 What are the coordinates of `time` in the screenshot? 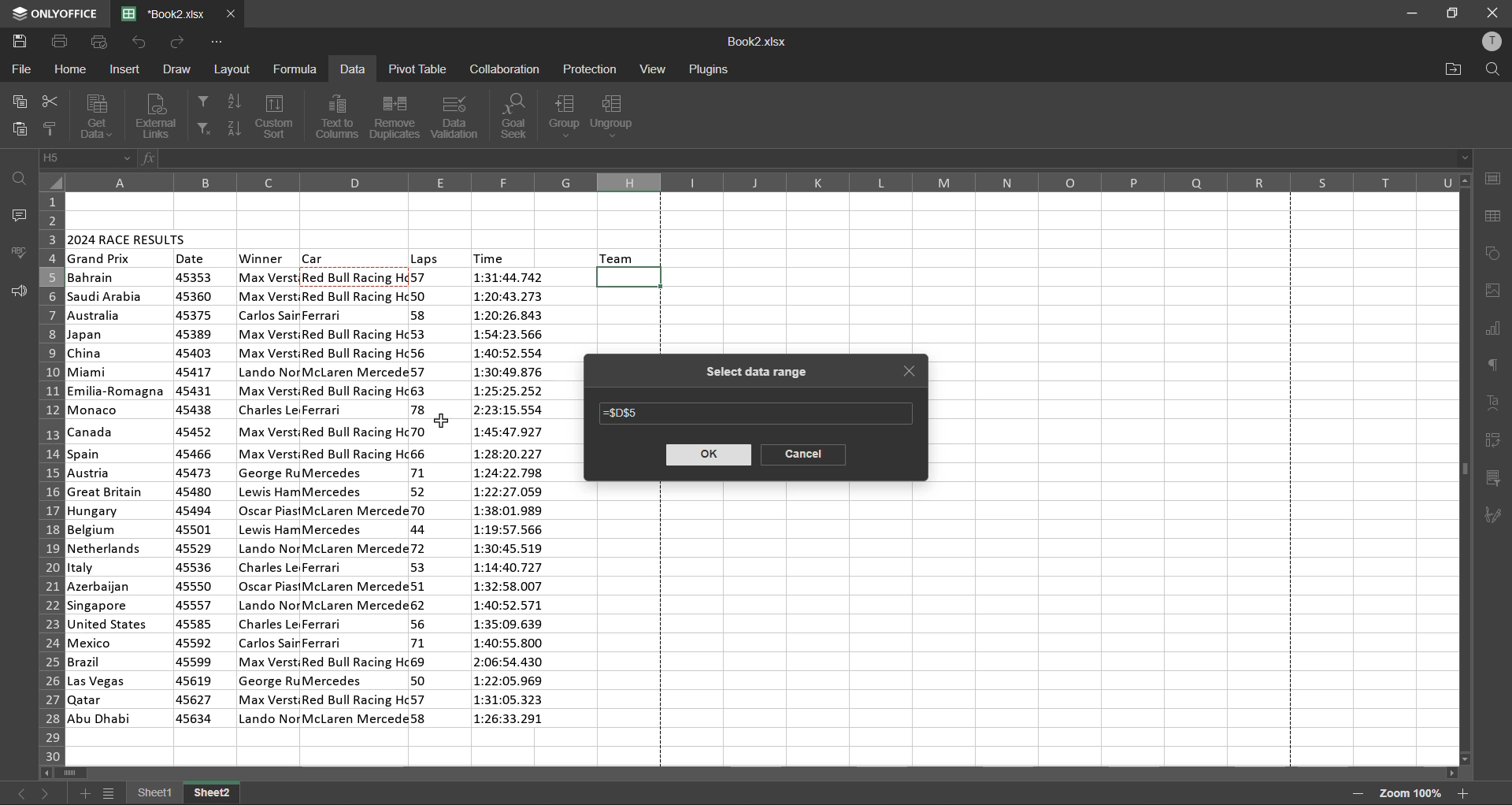 It's located at (513, 501).